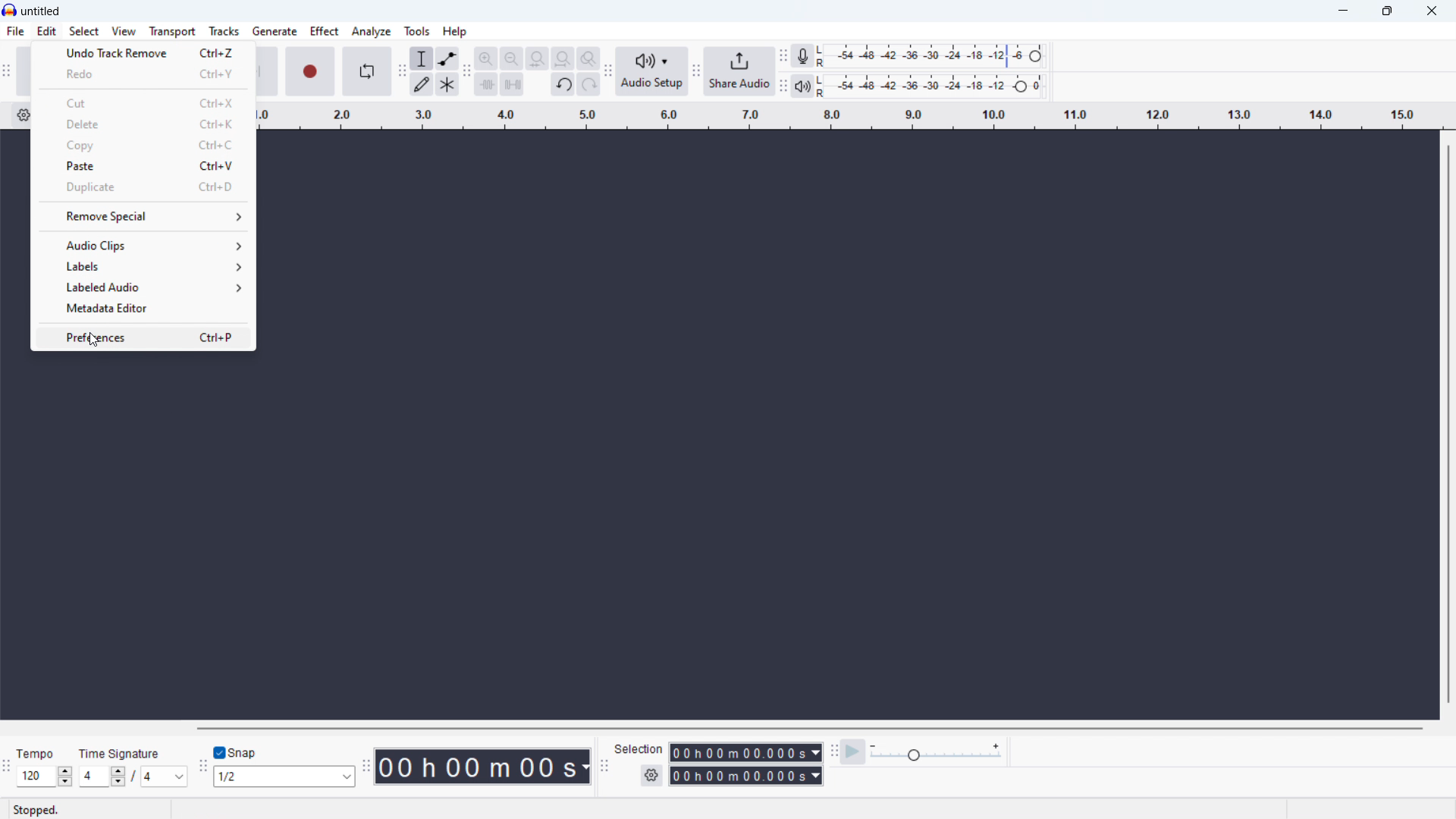 The height and width of the screenshot is (819, 1456). I want to click on share audio, so click(739, 71).